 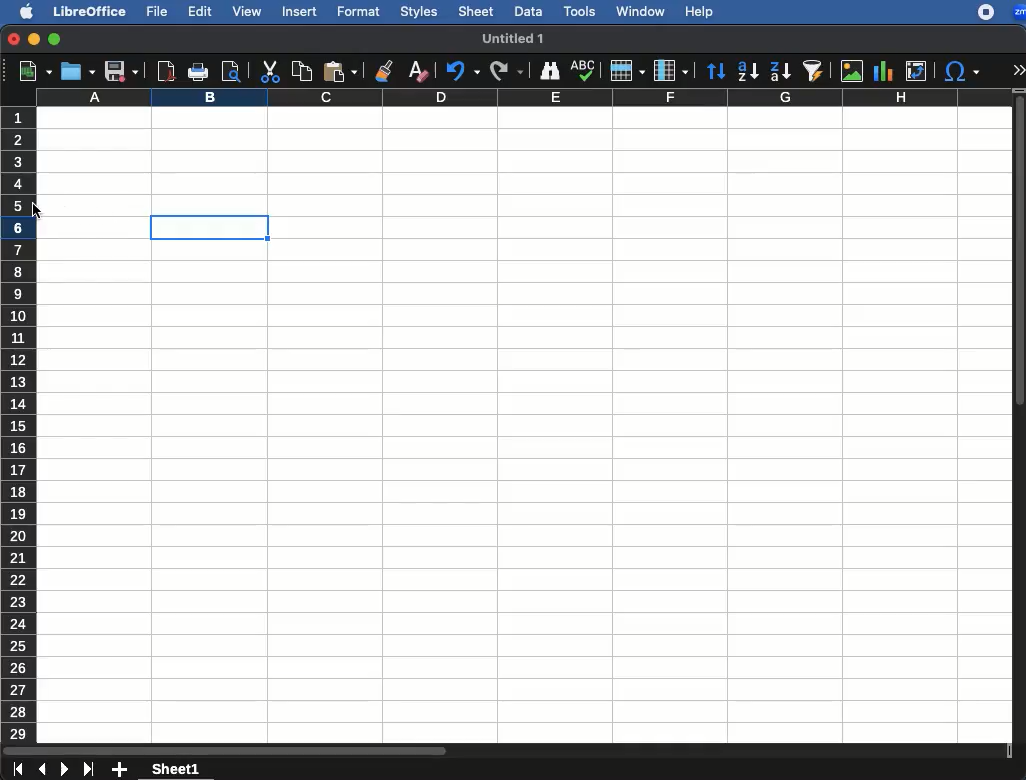 What do you see at coordinates (62, 770) in the screenshot?
I see `next sheet` at bounding box center [62, 770].